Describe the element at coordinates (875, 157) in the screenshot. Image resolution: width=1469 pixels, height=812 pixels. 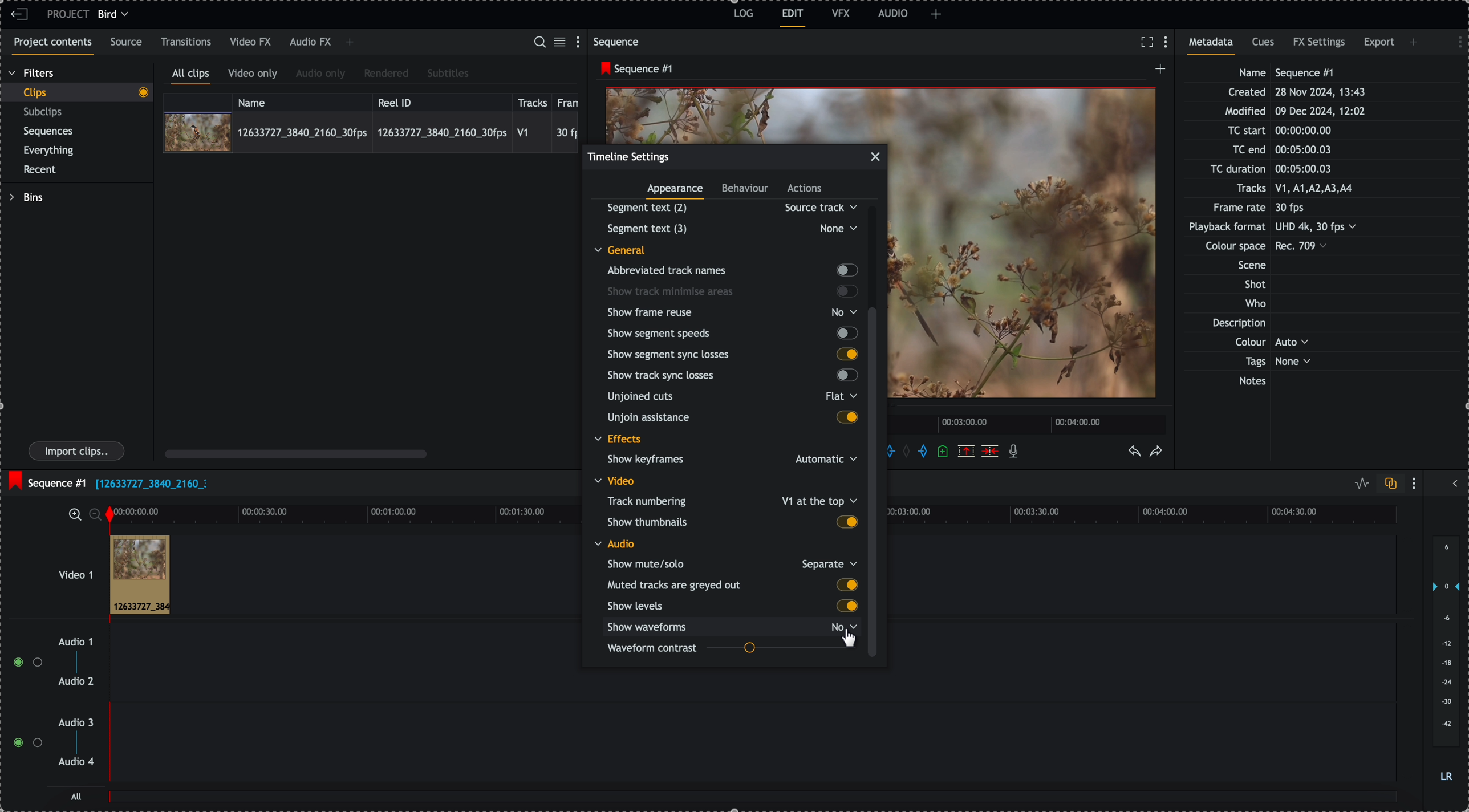
I see `close popup` at that location.